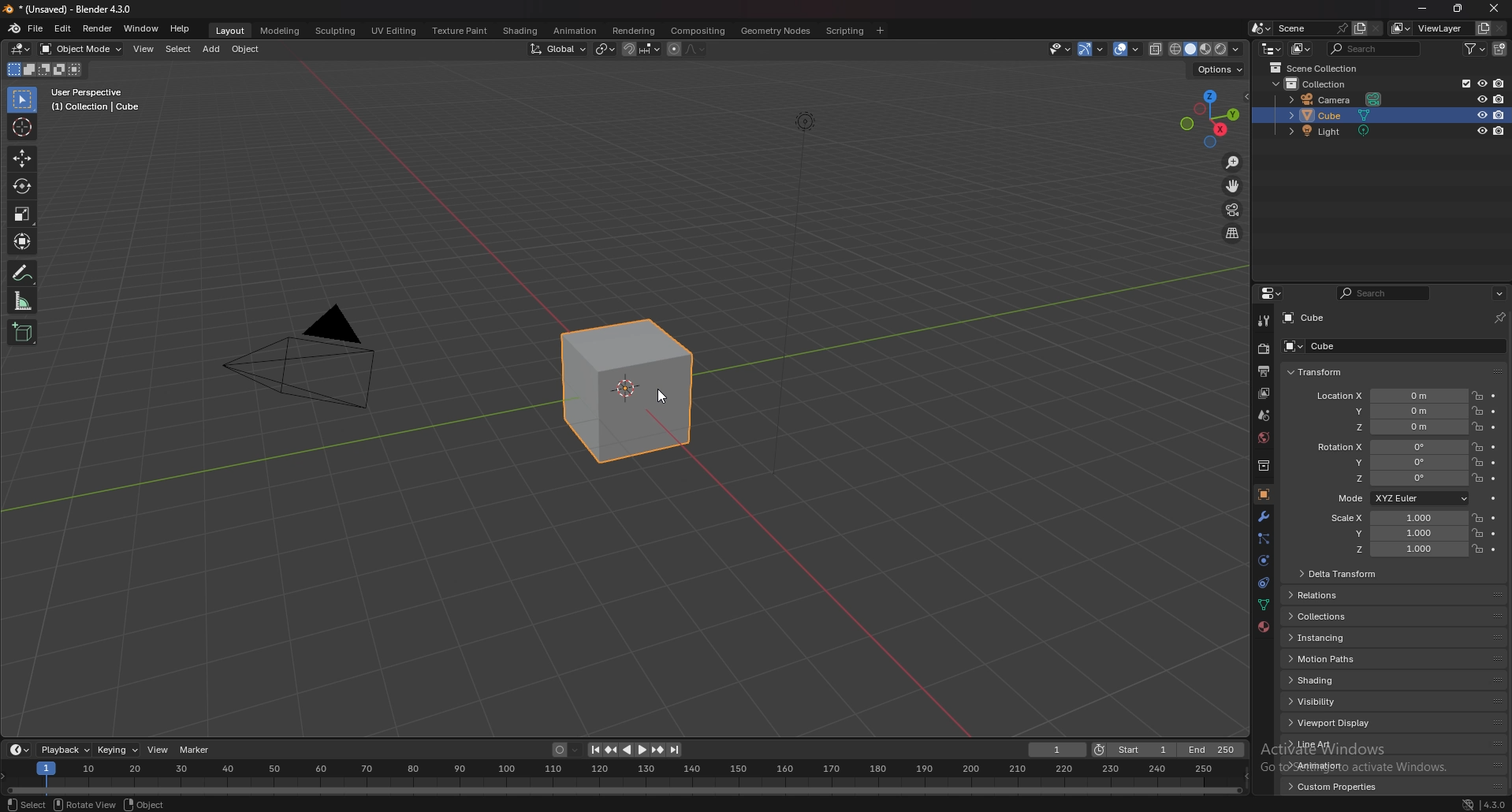  What do you see at coordinates (20, 750) in the screenshot?
I see `editor type` at bounding box center [20, 750].